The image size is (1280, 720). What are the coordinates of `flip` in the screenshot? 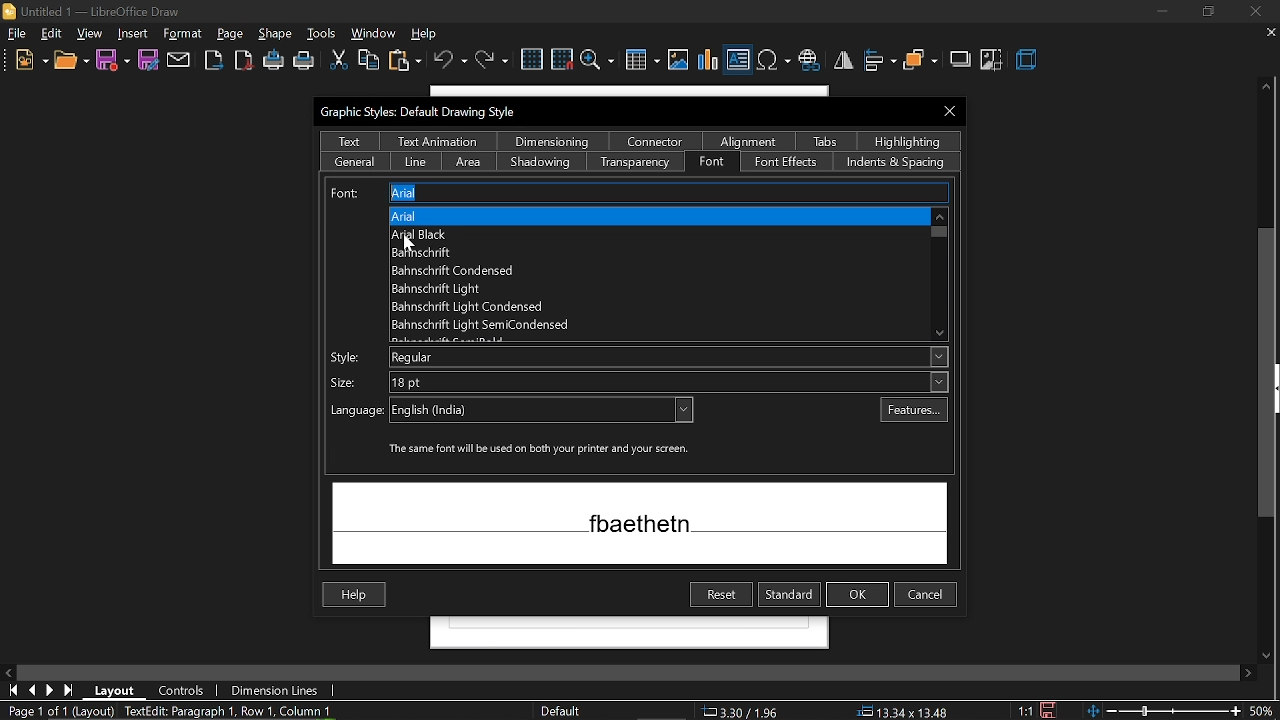 It's located at (843, 60).